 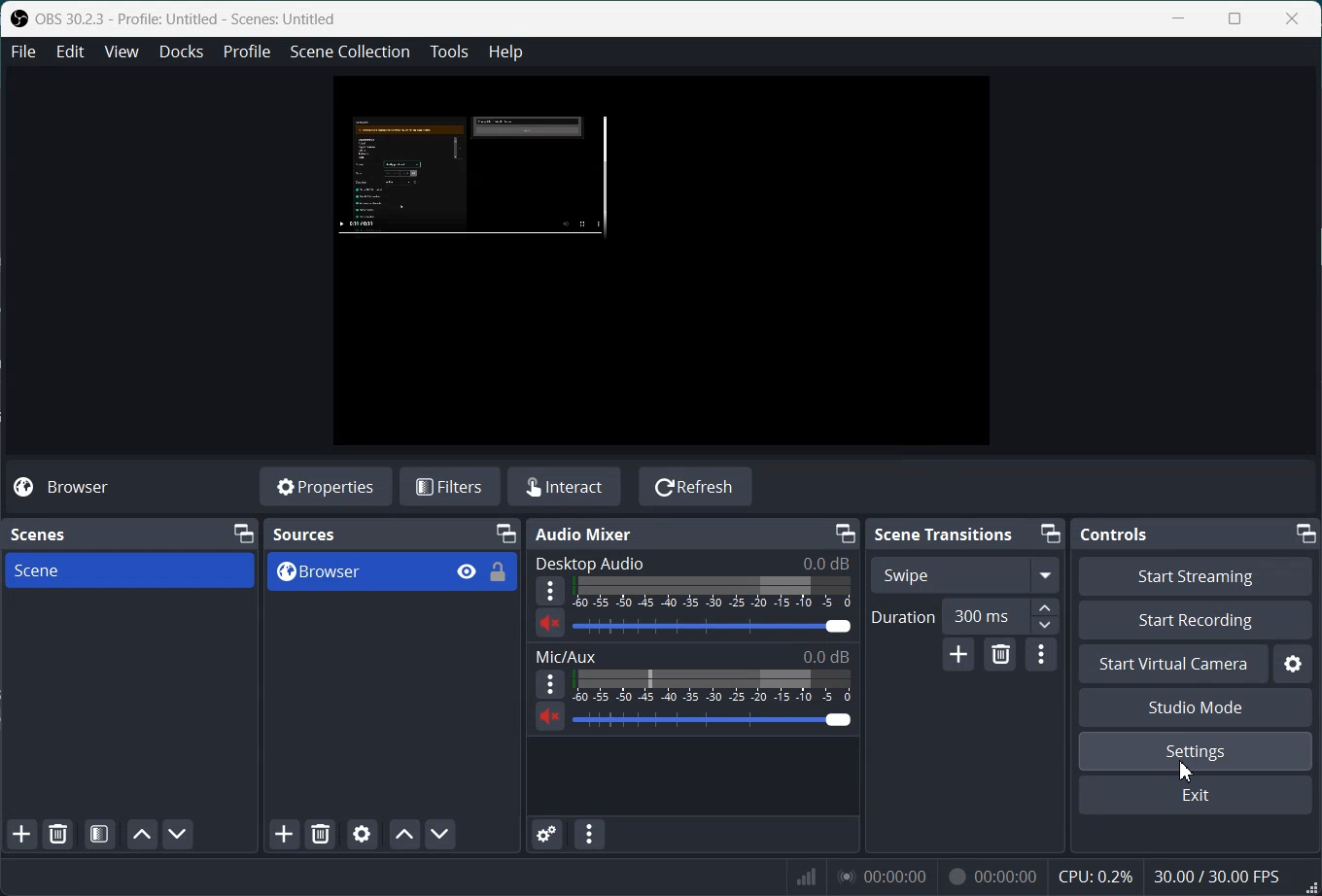 I want to click on Desktop Audio 0.0 dB, so click(x=692, y=563).